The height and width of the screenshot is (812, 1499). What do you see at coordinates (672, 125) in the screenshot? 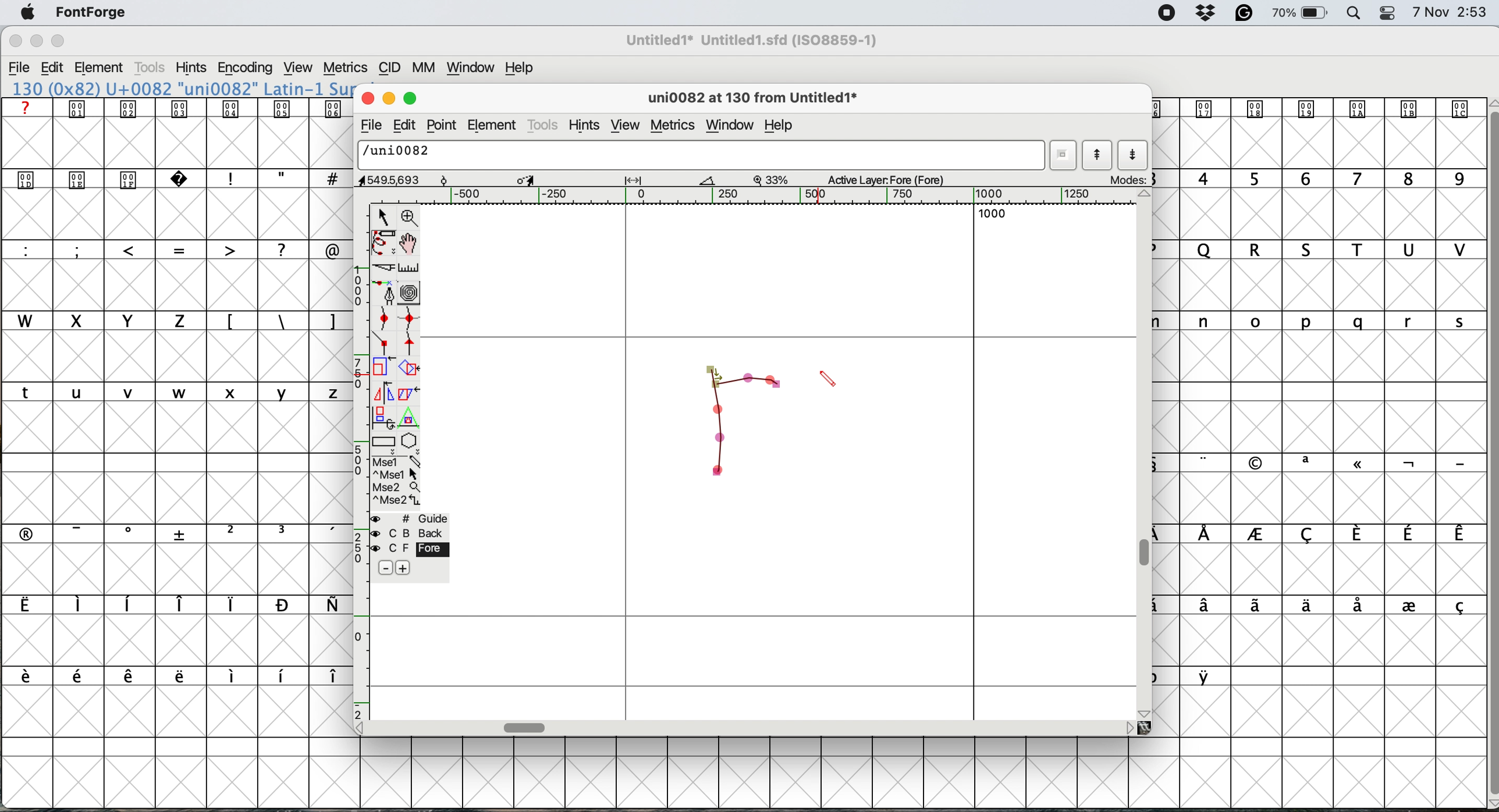
I see `metrics` at bounding box center [672, 125].